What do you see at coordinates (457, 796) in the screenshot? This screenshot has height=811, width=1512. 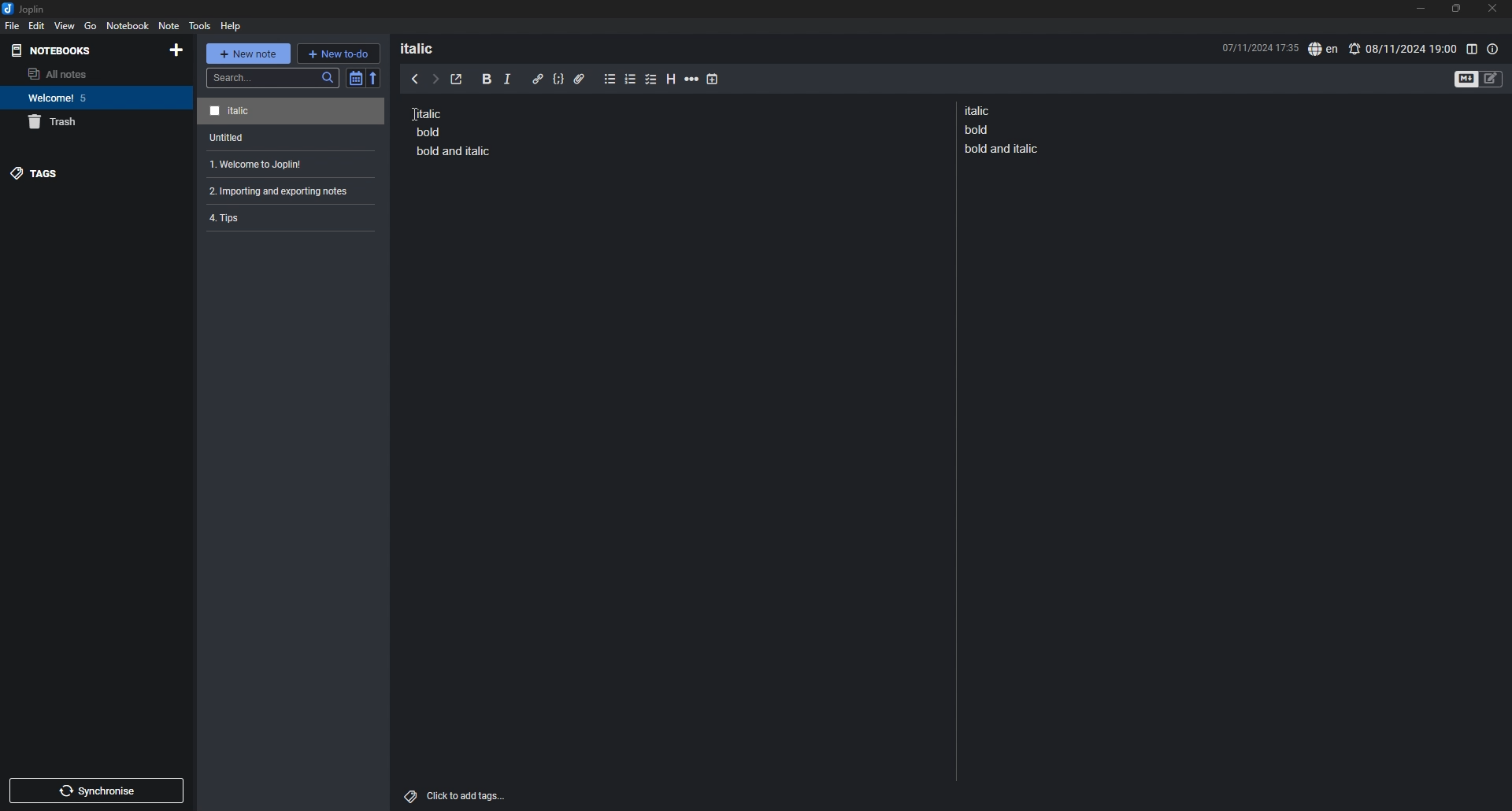 I see `add tags` at bounding box center [457, 796].